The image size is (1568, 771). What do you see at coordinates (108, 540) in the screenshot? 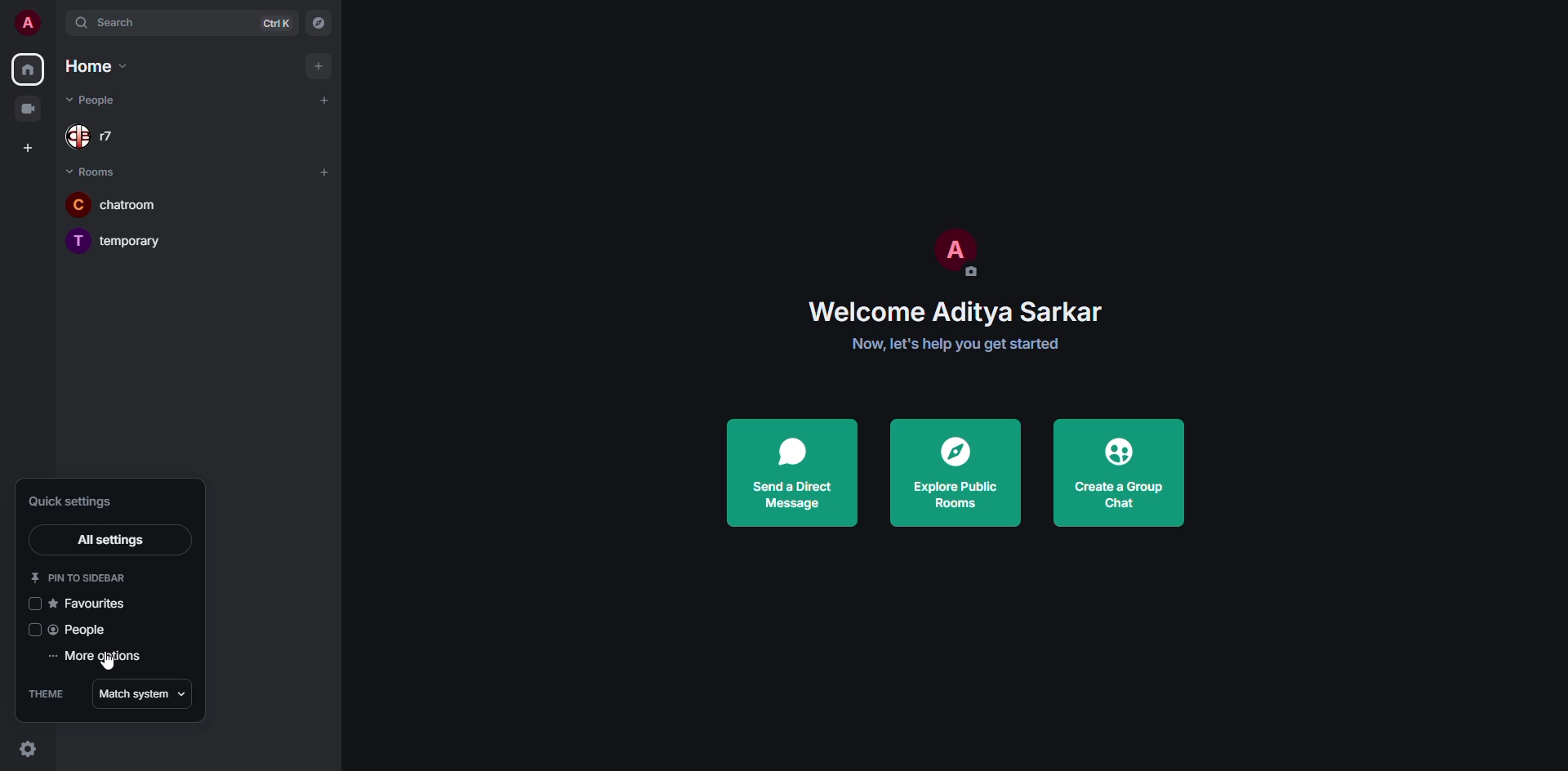
I see `all settings` at bounding box center [108, 540].